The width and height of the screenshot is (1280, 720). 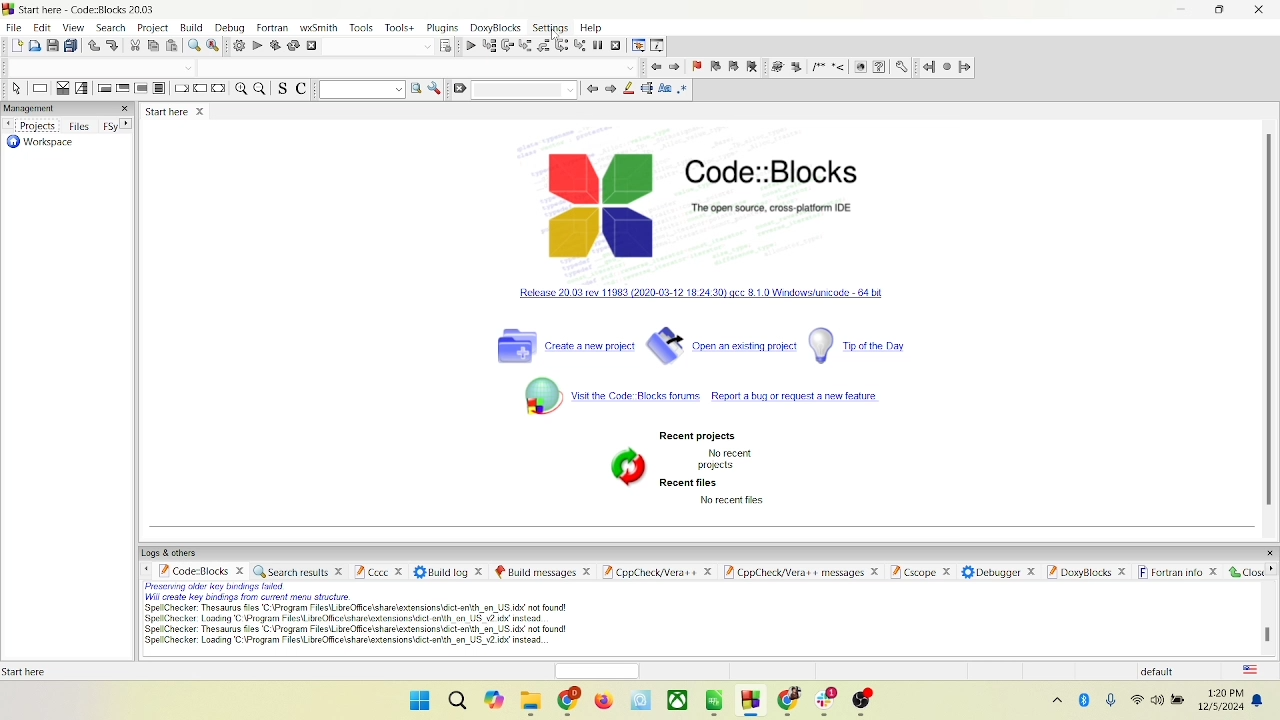 What do you see at coordinates (599, 45) in the screenshot?
I see `break debugger` at bounding box center [599, 45].